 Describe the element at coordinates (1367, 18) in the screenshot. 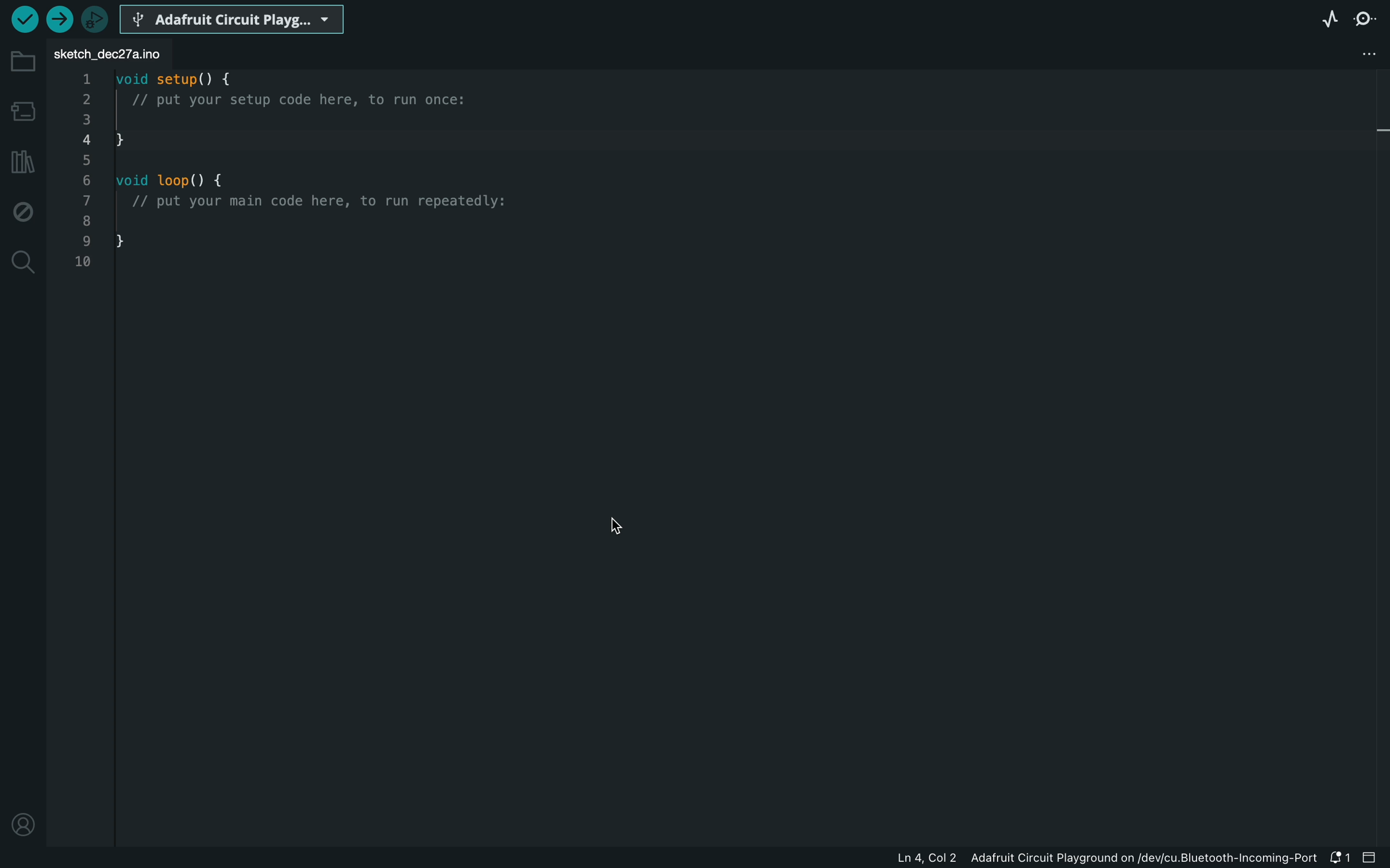

I see `serial monitor` at that location.